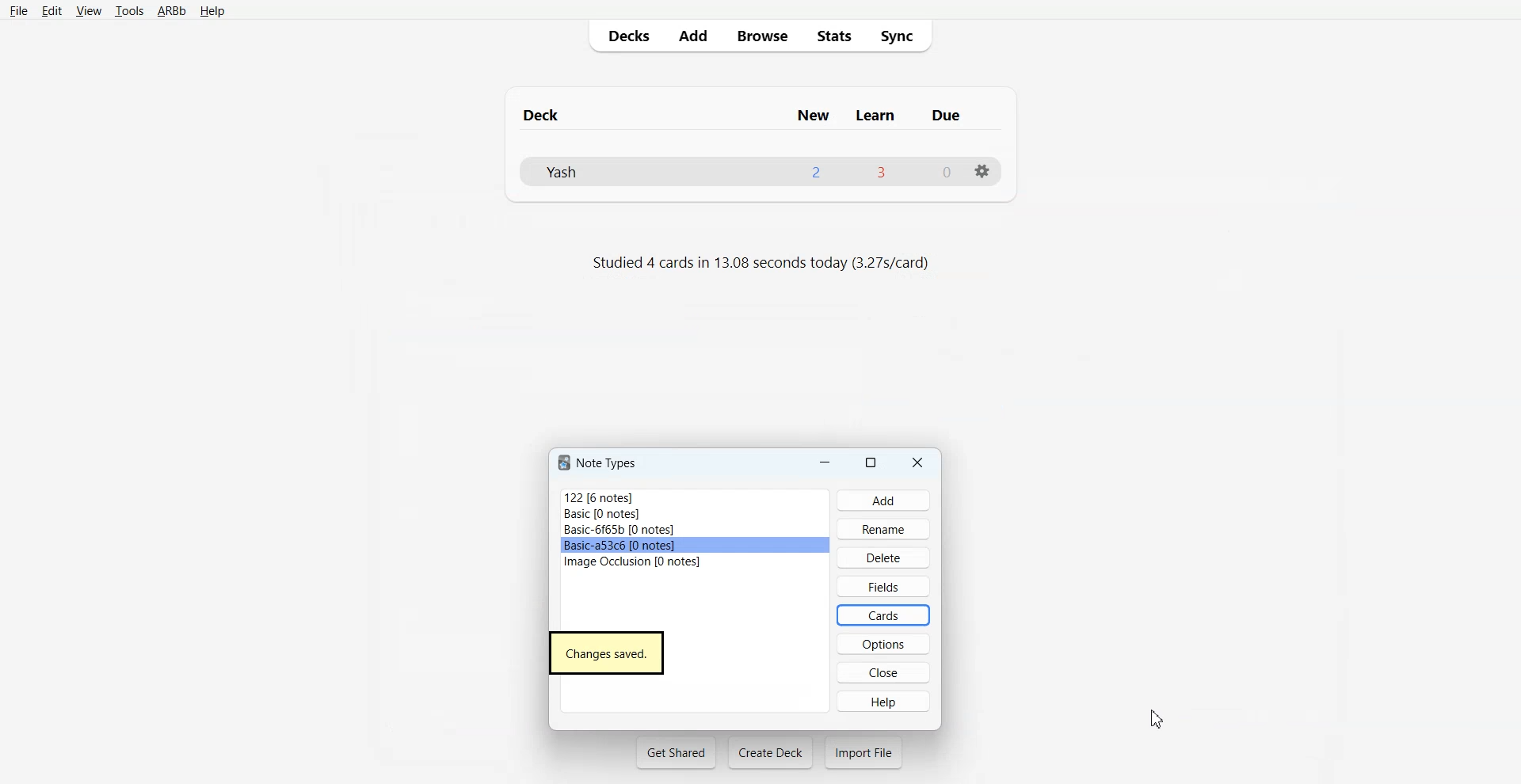  I want to click on Note Types, so click(600, 462).